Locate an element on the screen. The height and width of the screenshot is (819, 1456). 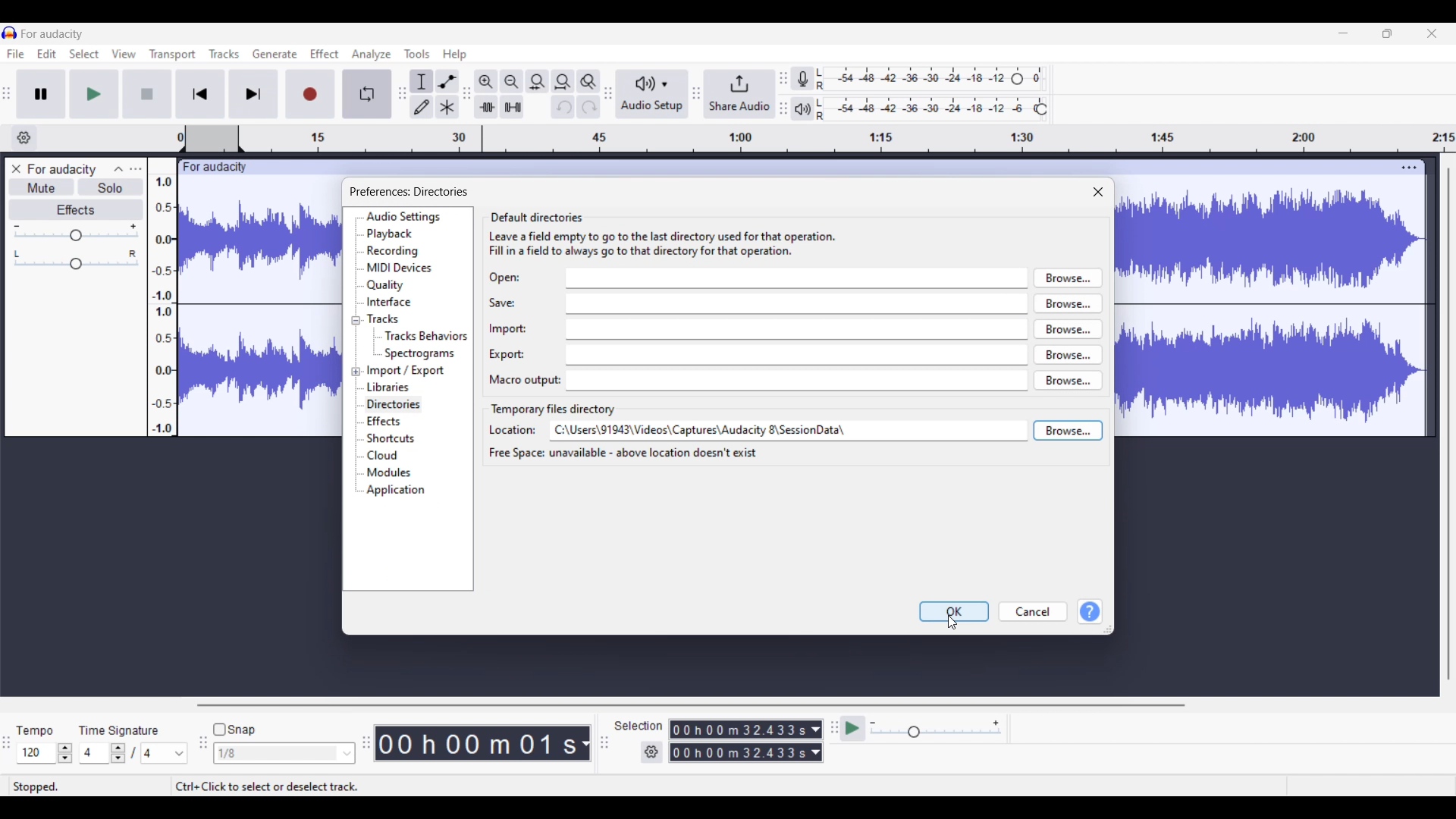
Analyze menu is located at coordinates (372, 55).